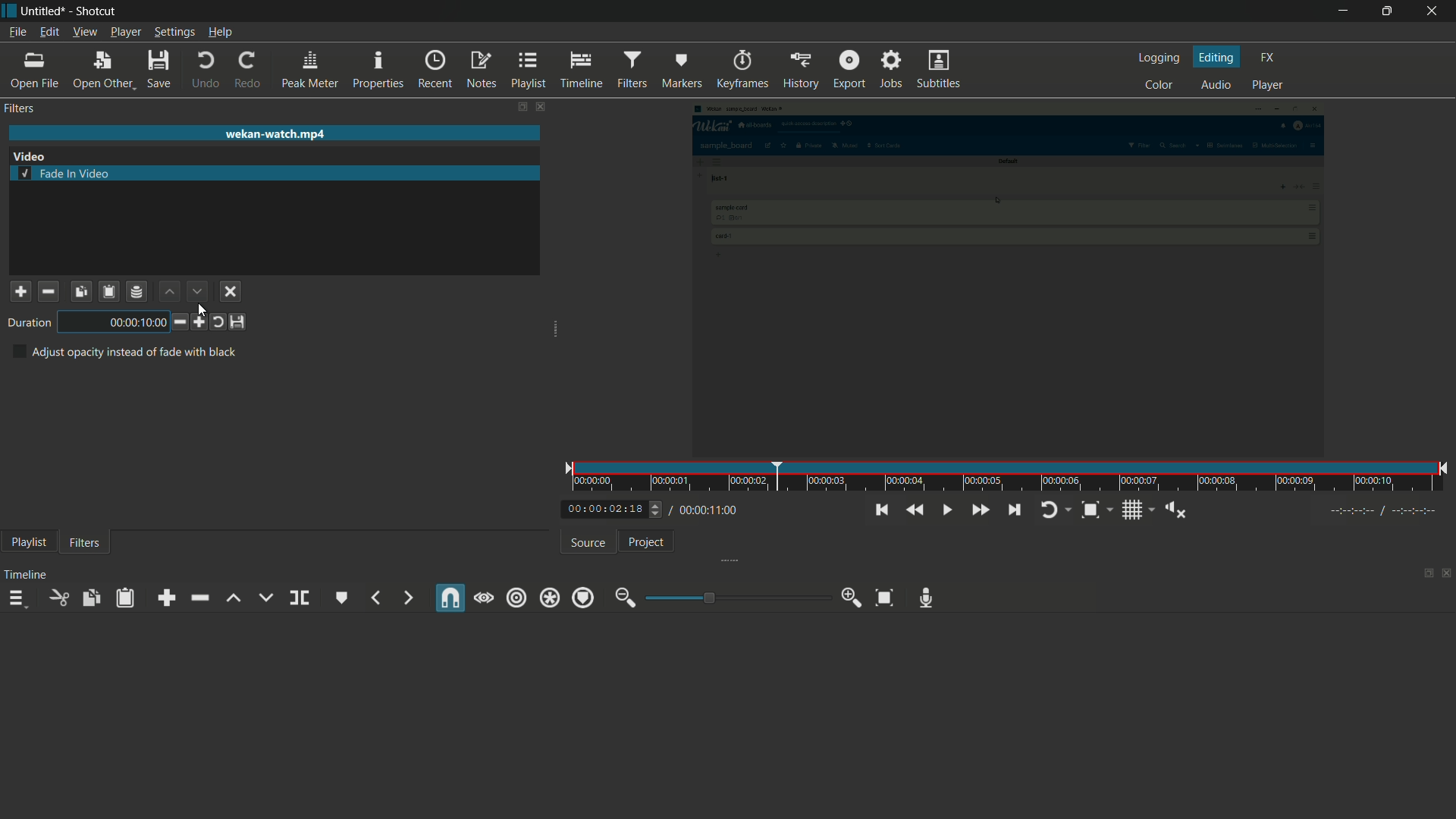  What do you see at coordinates (1269, 86) in the screenshot?
I see `player` at bounding box center [1269, 86].